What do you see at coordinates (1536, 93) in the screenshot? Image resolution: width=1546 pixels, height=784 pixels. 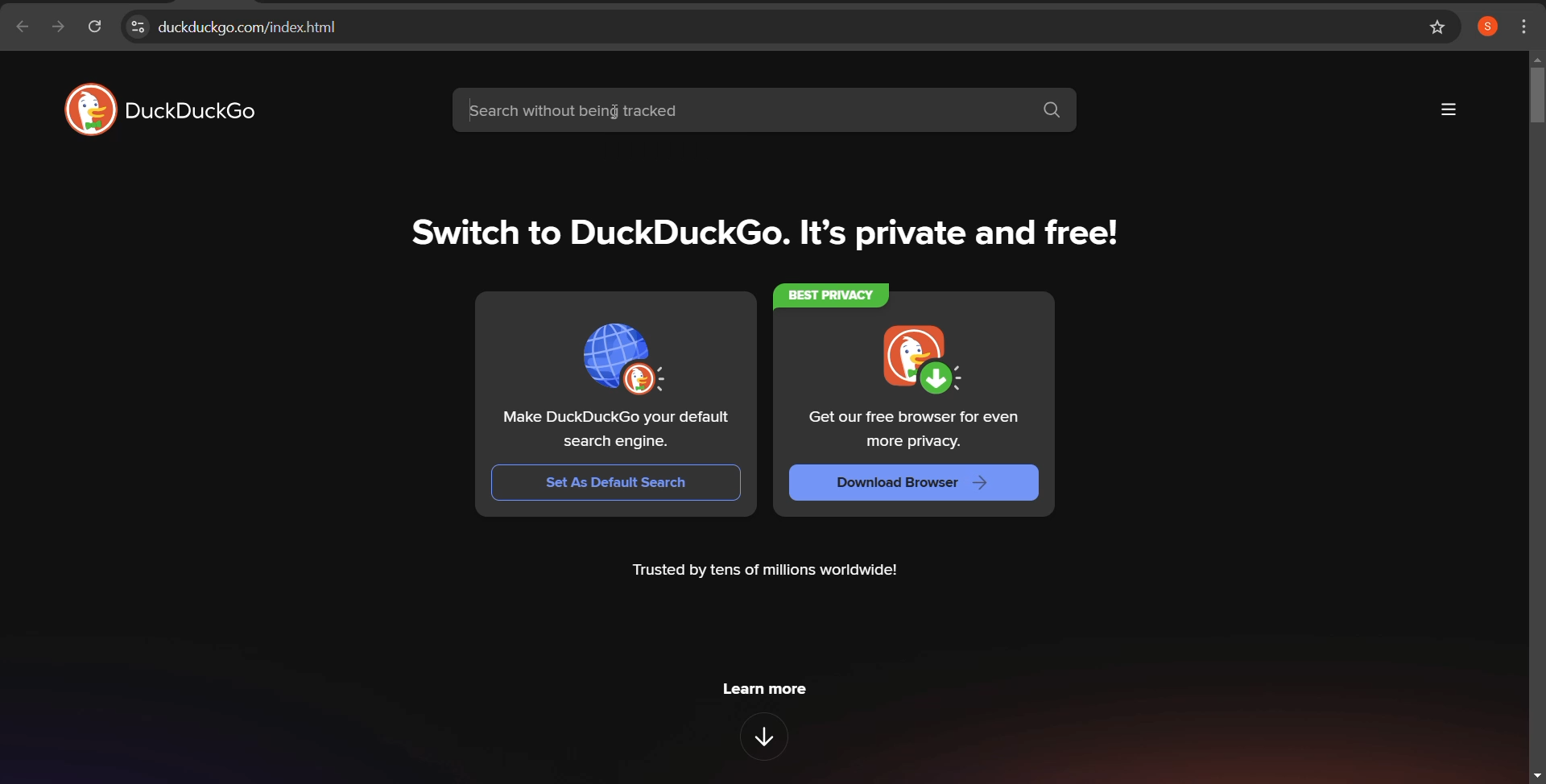 I see `vertical scroll bar` at bounding box center [1536, 93].